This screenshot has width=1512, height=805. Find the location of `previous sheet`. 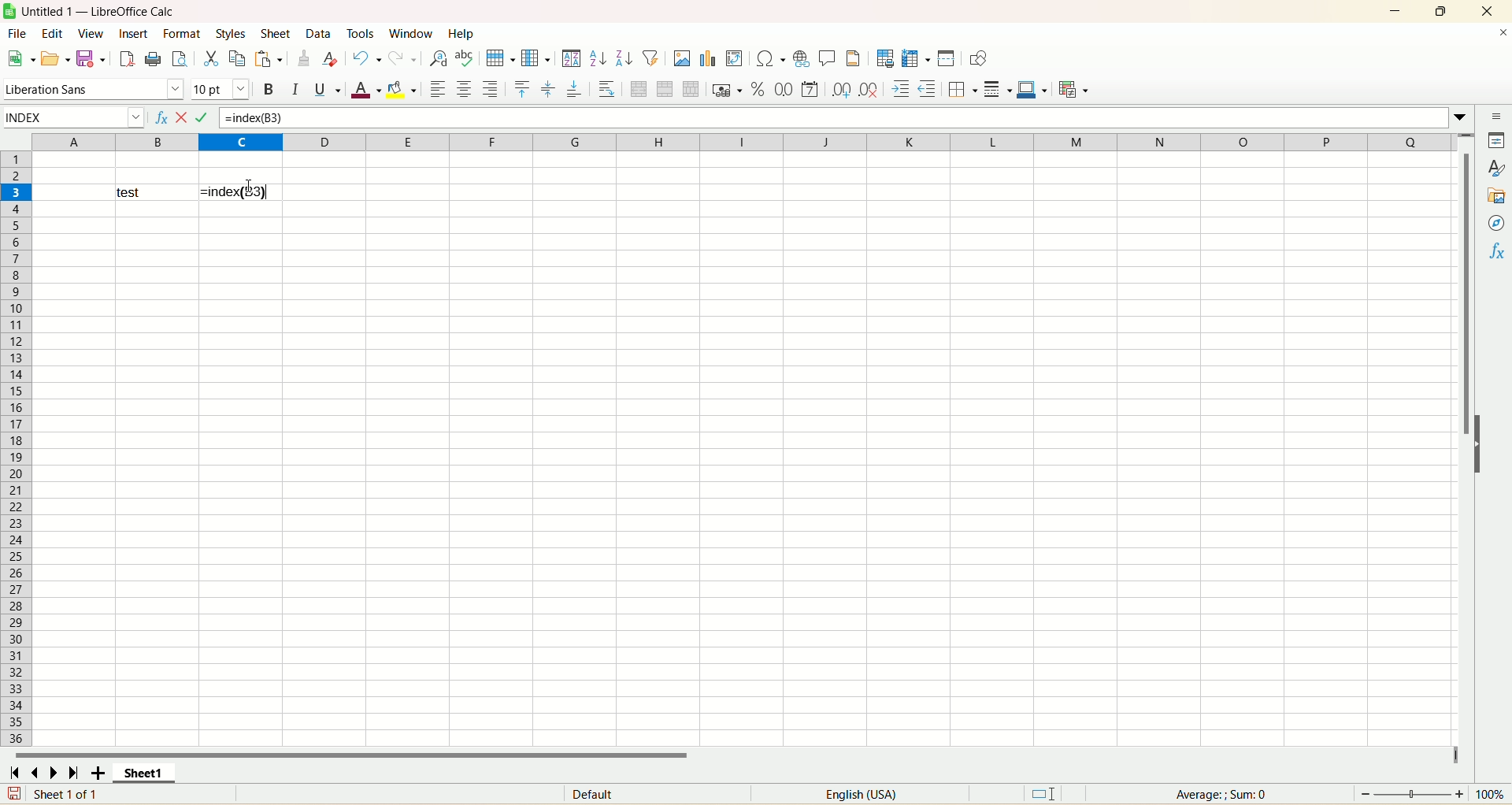

previous sheet is located at coordinates (32, 772).